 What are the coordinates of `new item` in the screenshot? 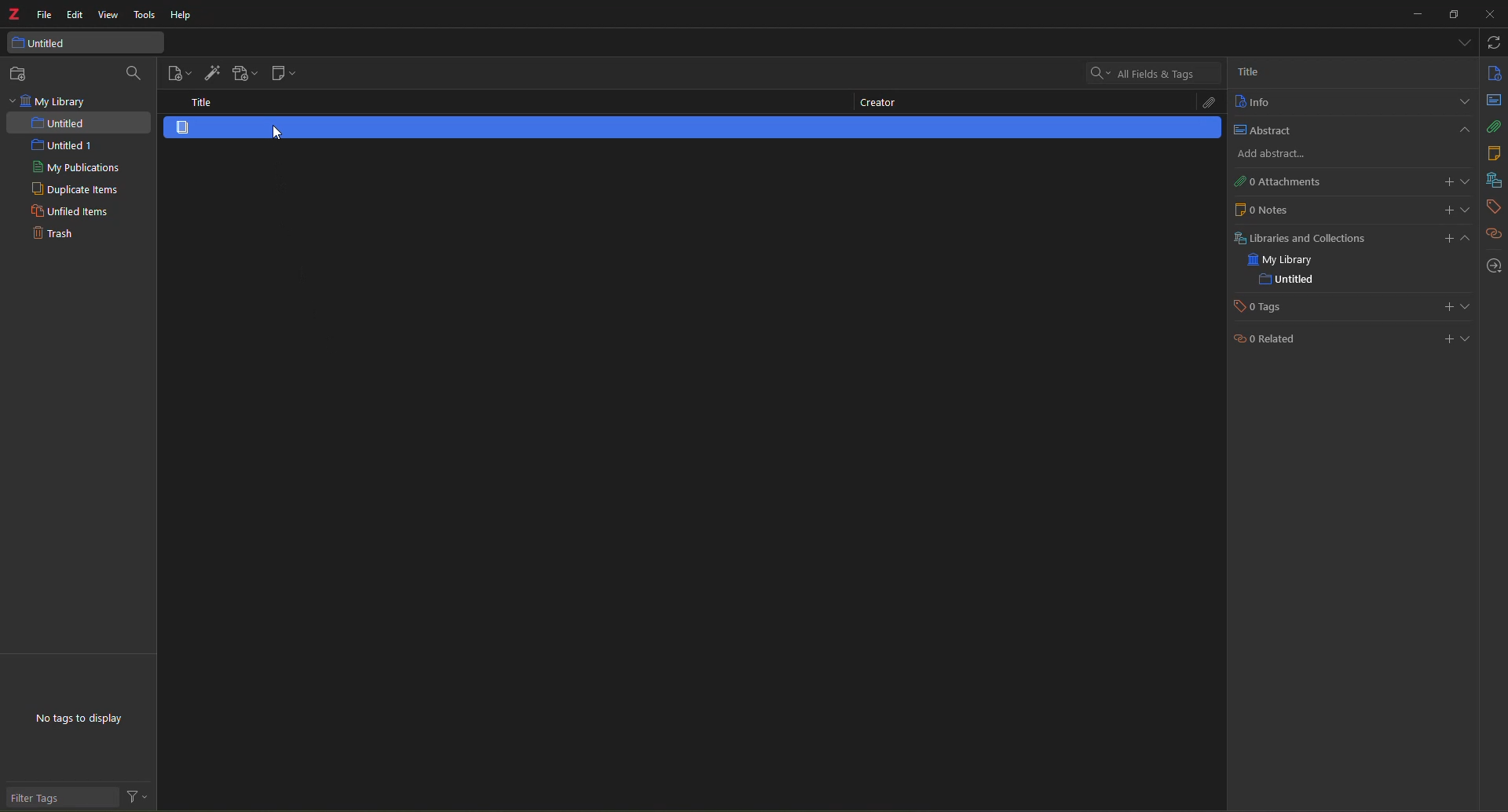 It's located at (180, 73).